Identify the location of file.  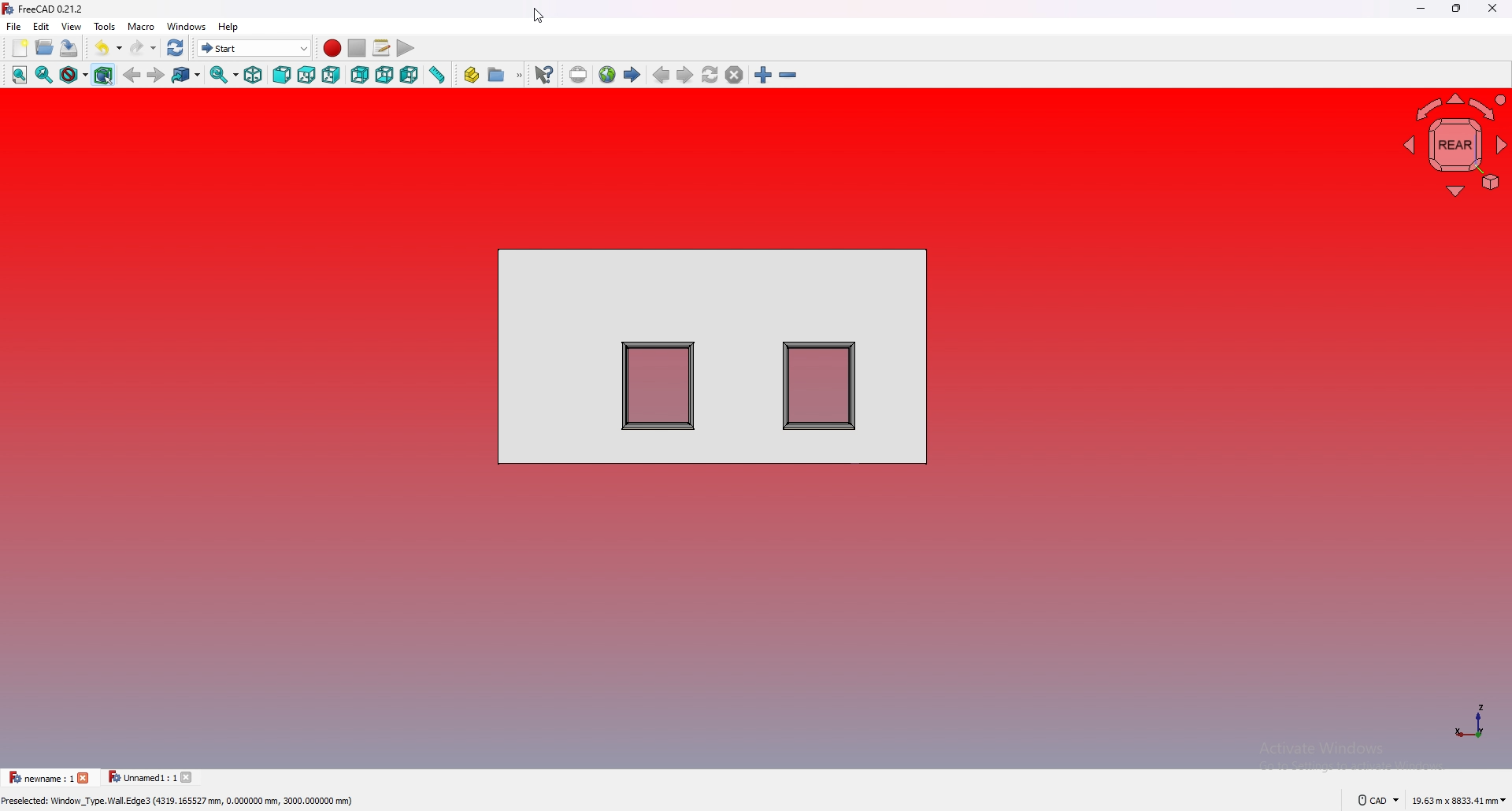
(14, 26).